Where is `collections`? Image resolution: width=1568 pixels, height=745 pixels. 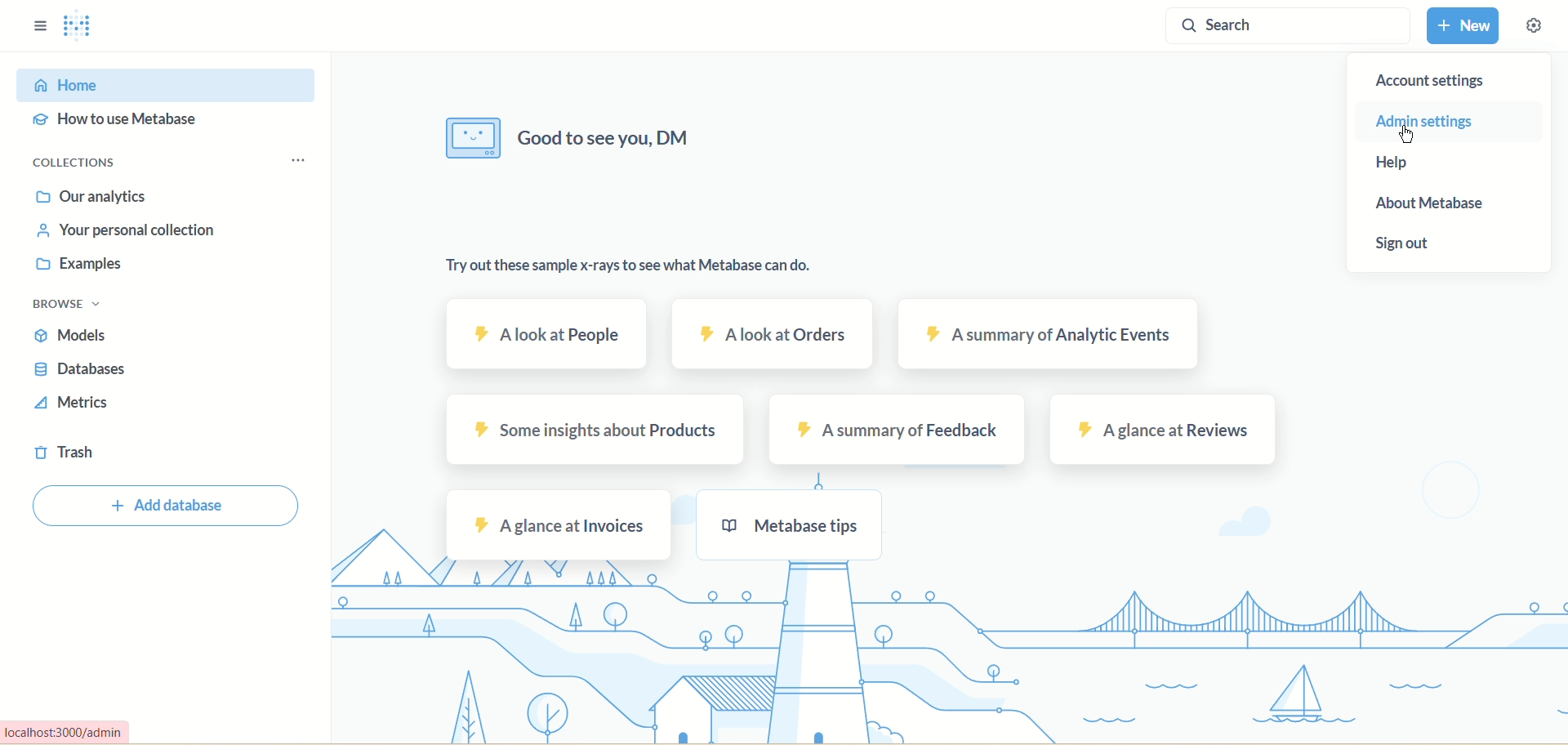 collections is located at coordinates (75, 162).